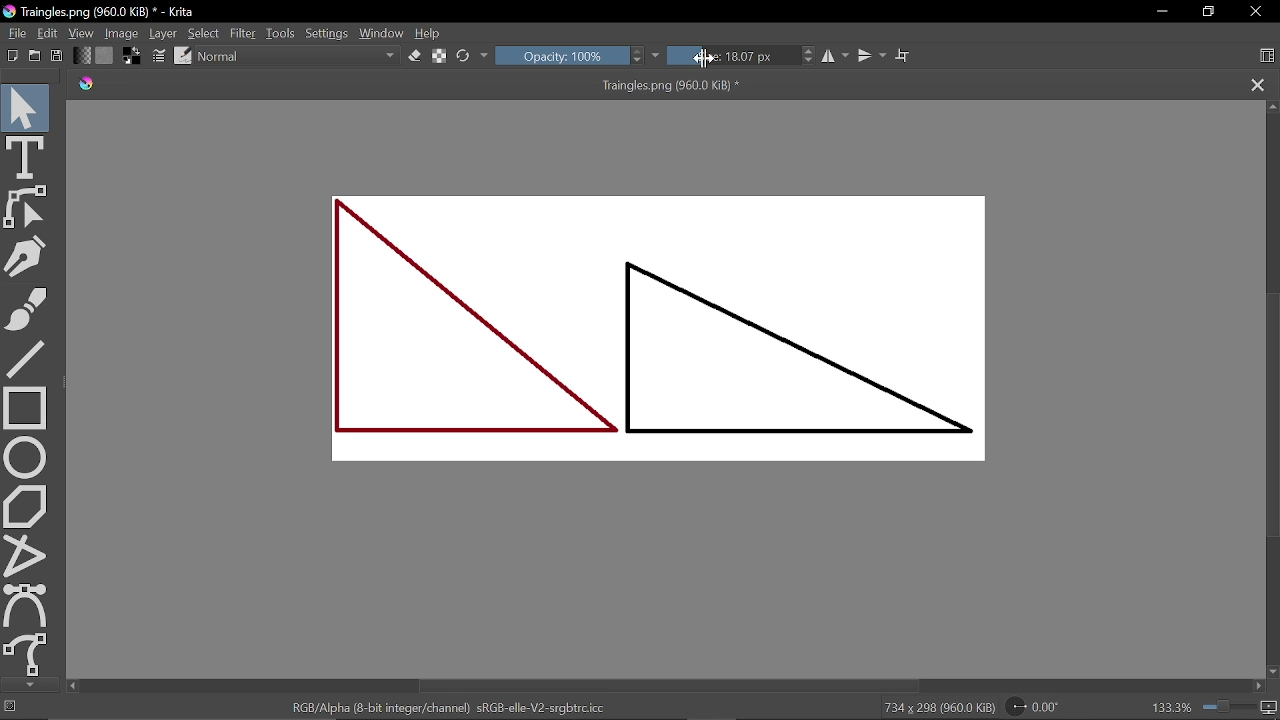 The image size is (1280, 720). Describe the element at coordinates (25, 157) in the screenshot. I see `Text tool` at that location.